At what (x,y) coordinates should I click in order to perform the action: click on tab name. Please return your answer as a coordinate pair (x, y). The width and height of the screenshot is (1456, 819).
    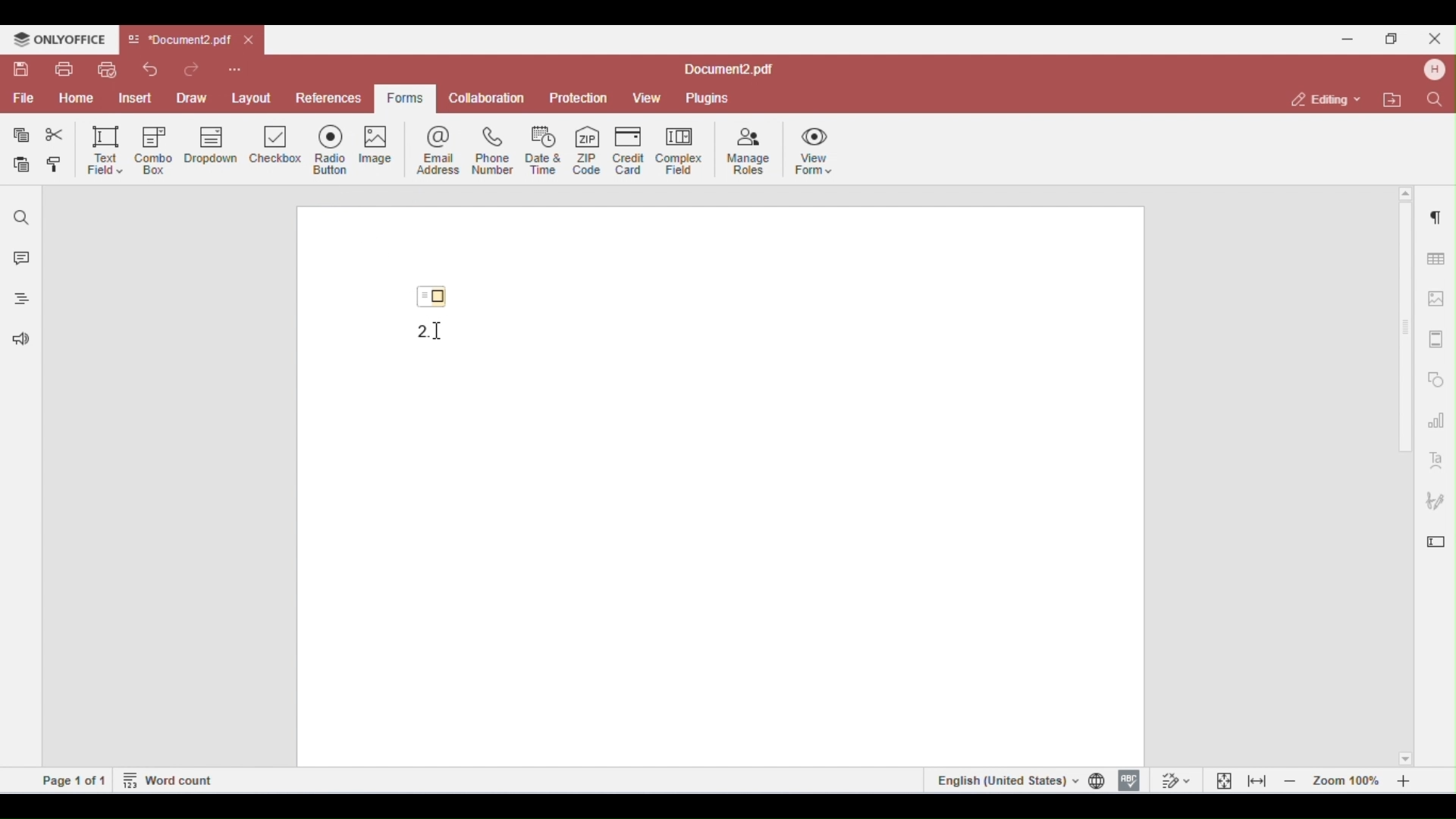
    Looking at the image, I should click on (179, 40).